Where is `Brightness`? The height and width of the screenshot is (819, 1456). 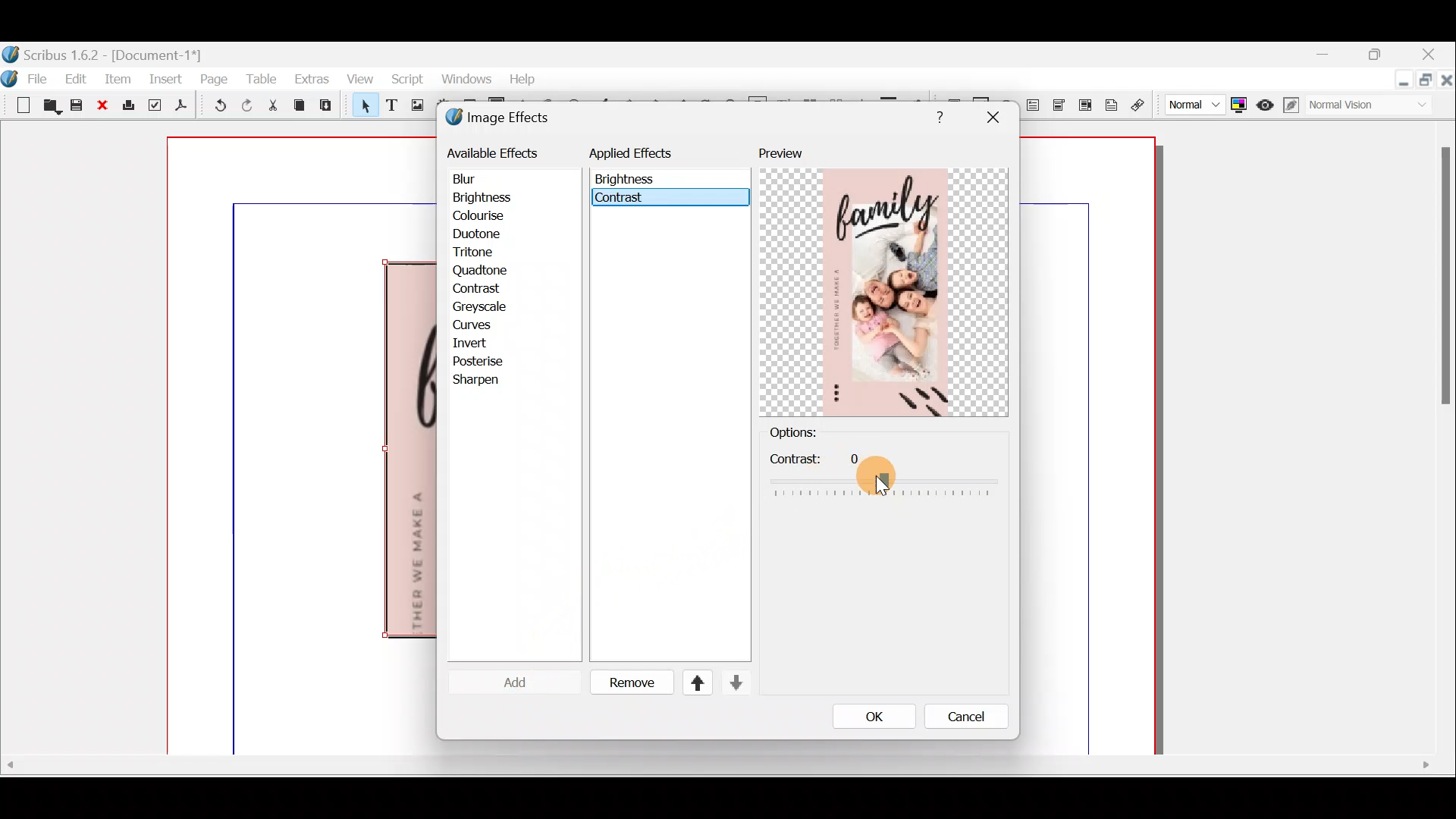 Brightness is located at coordinates (502, 197).